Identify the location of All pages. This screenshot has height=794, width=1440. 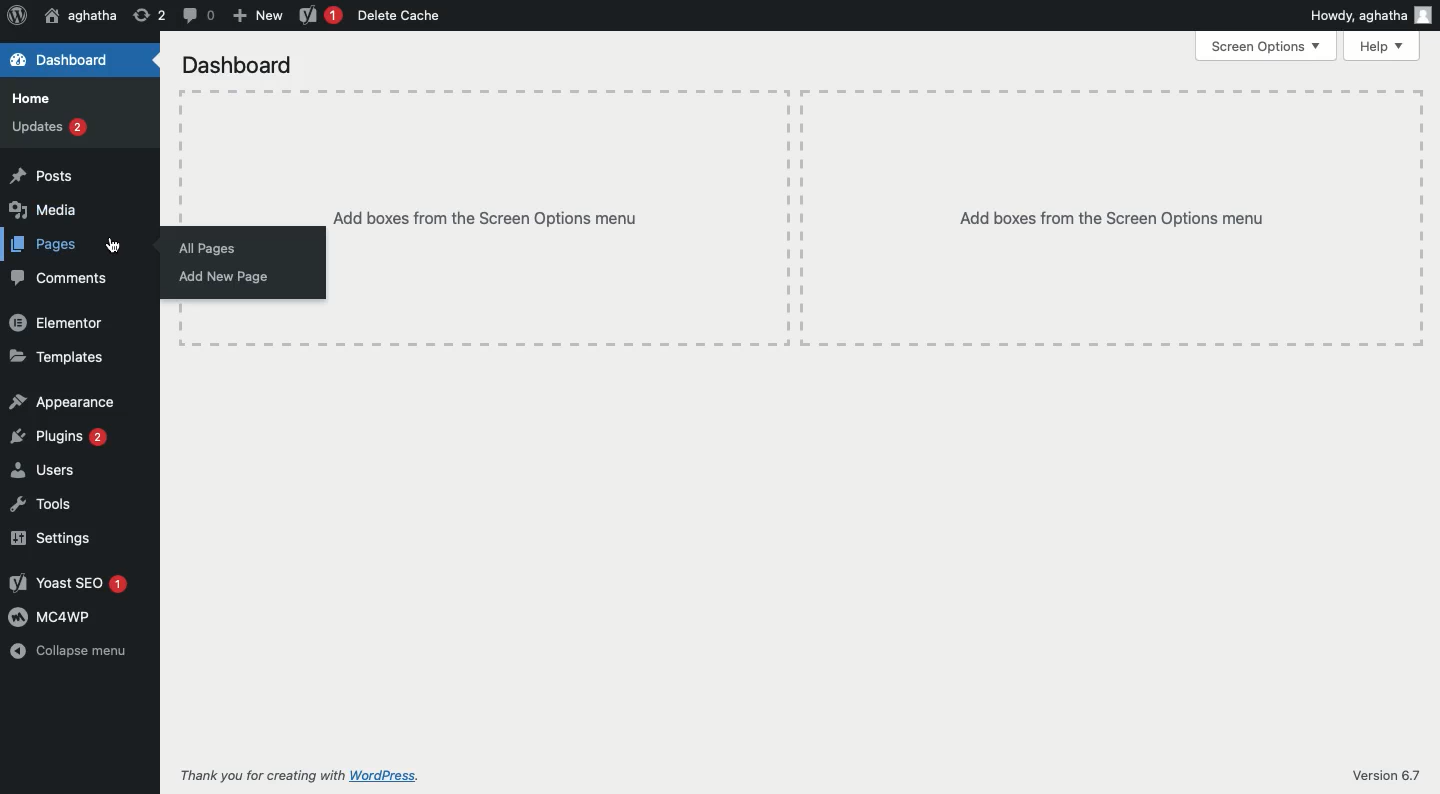
(242, 248).